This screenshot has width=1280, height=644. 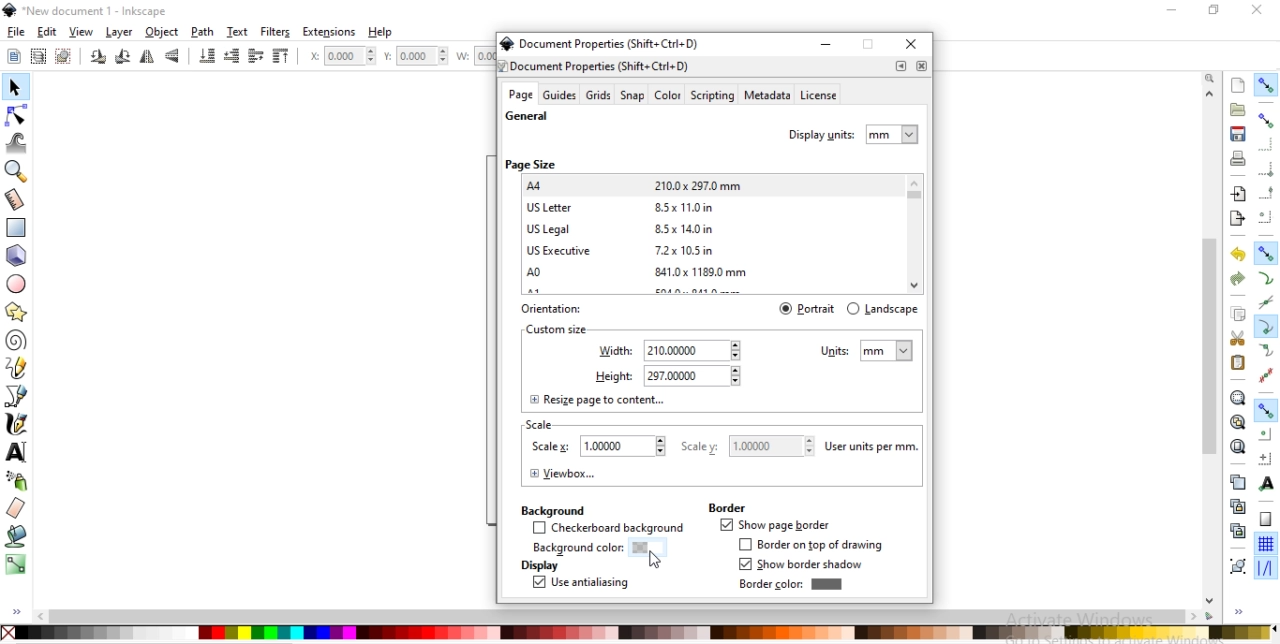 I want to click on rotate 90 clockwise, so click(x=121, y=58).